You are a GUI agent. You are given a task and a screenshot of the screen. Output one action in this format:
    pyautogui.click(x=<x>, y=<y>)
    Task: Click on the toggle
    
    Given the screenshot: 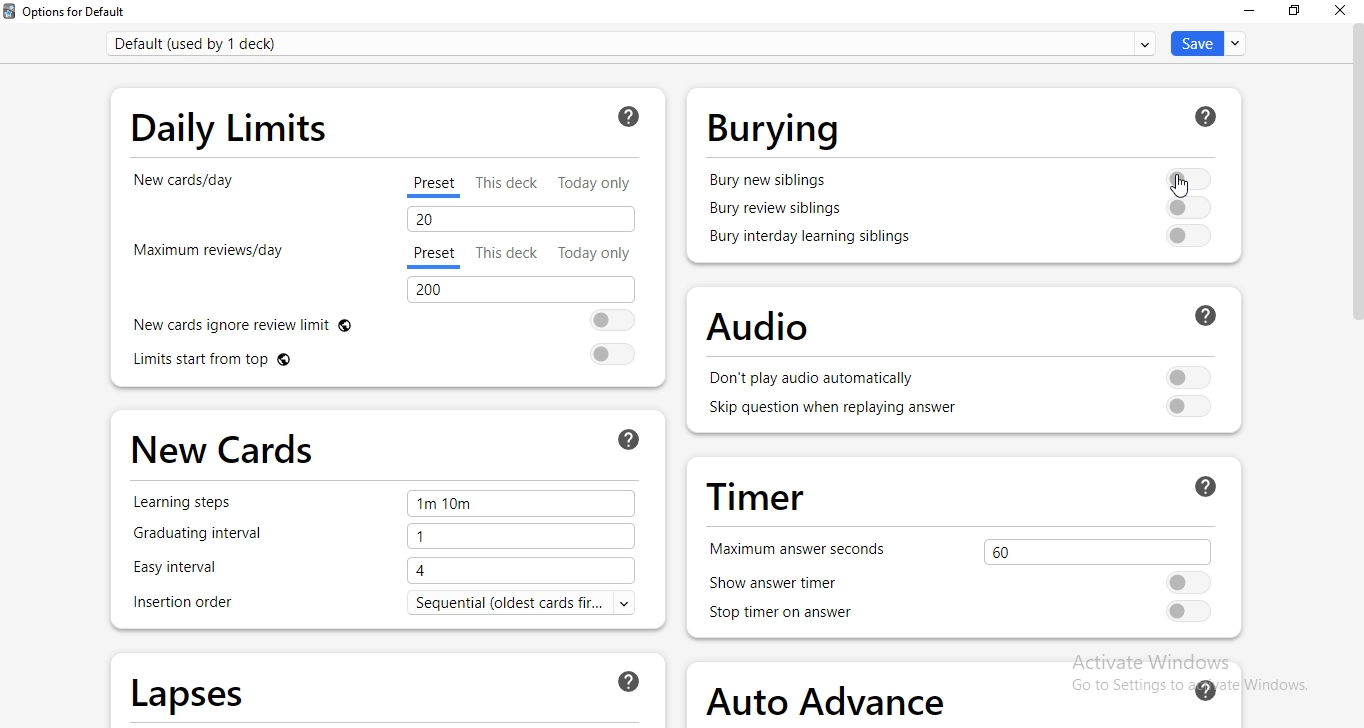 What is the action you would take?
    pyautogui.click(x=1192, y=610)
    